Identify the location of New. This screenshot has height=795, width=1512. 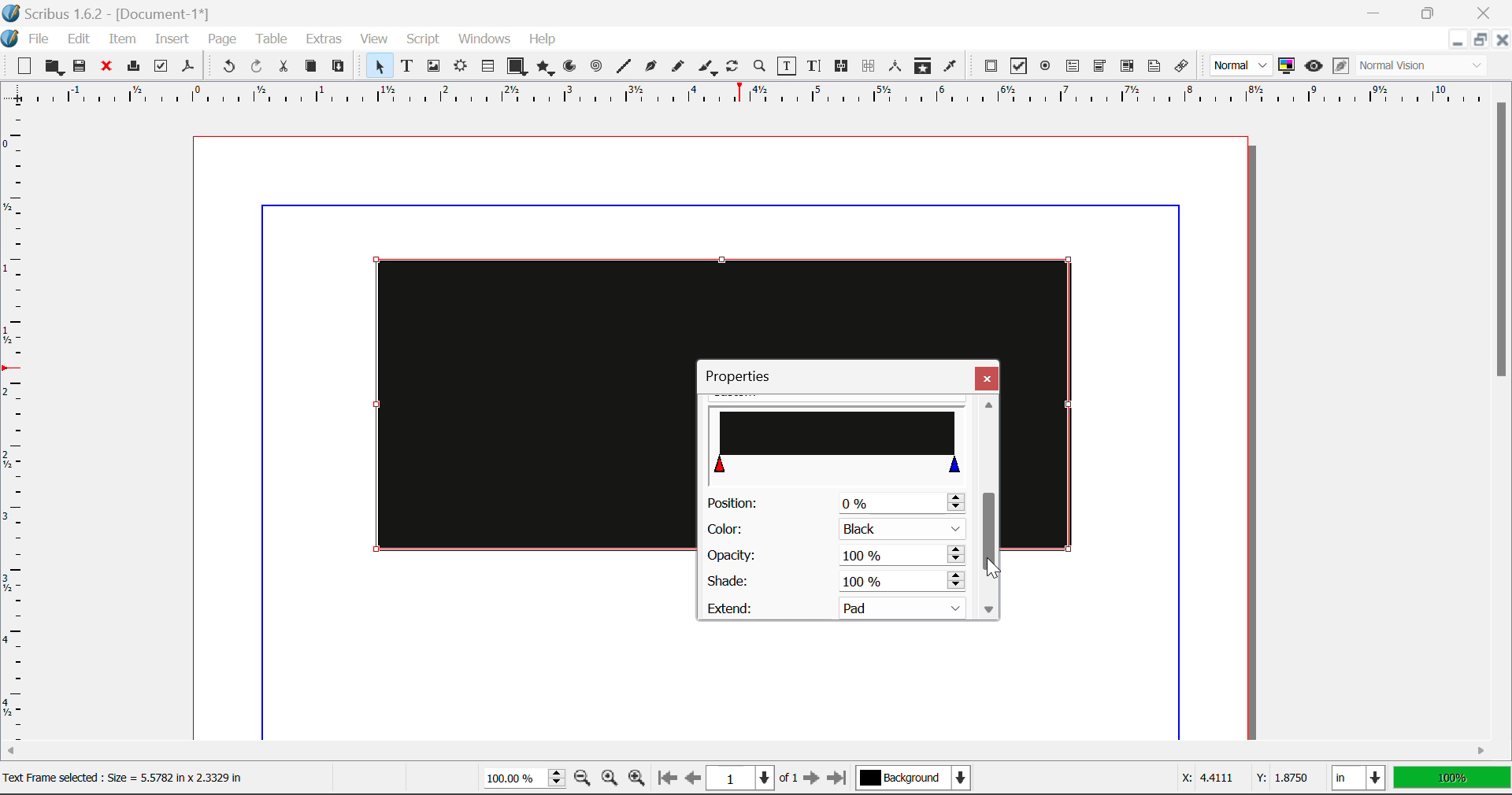
(20, 67).